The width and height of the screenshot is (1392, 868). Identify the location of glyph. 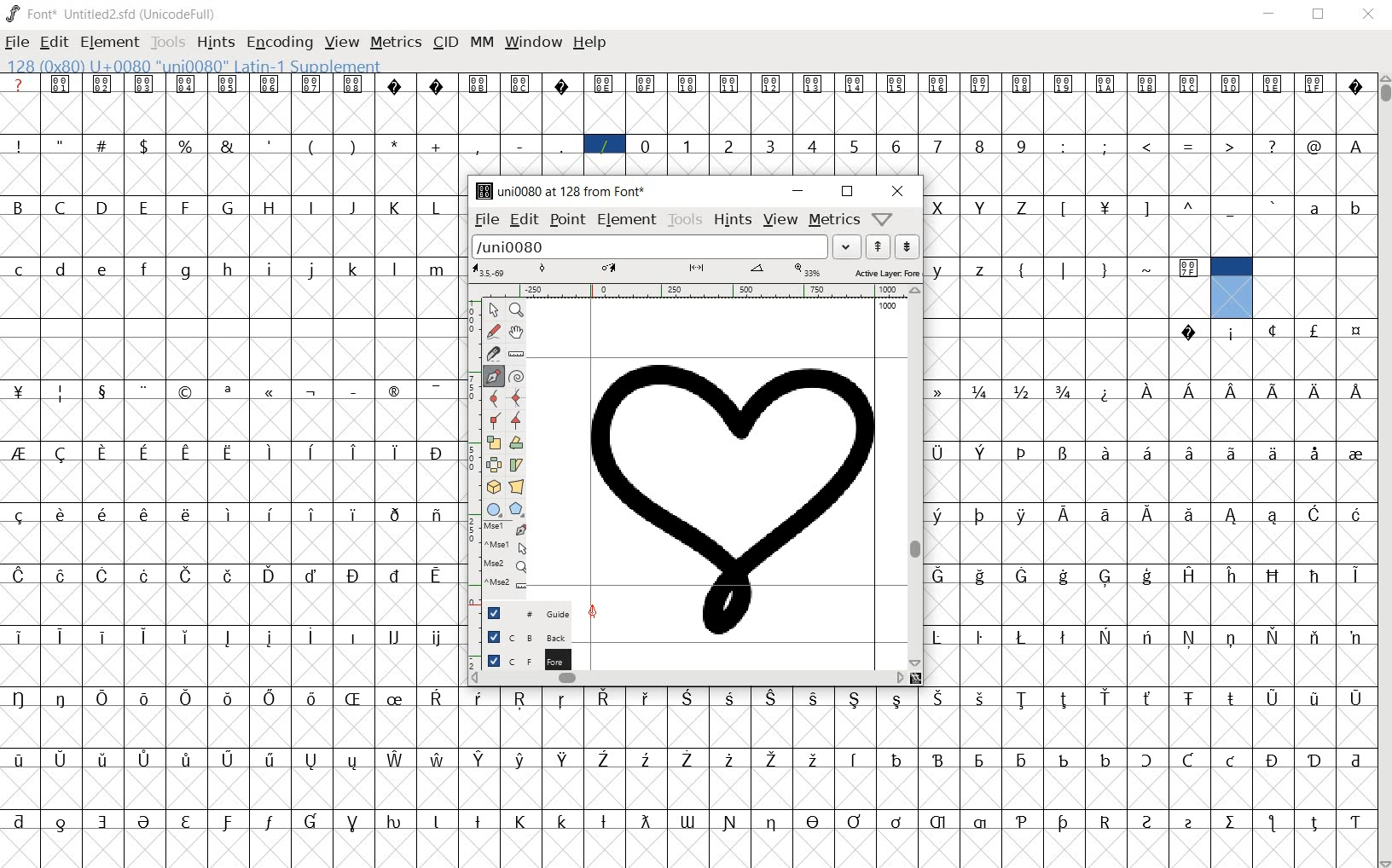
(395, 144).